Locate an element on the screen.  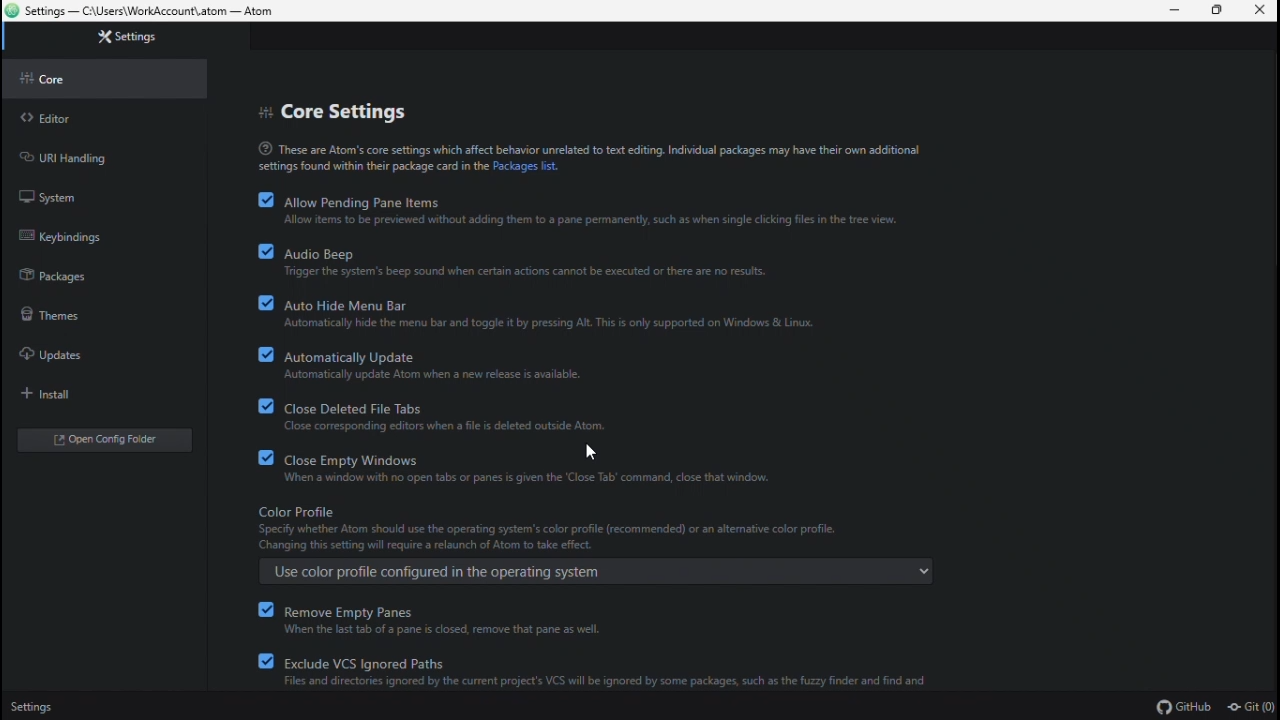
Allow pending pane items  is located at coordinates (615, 211).